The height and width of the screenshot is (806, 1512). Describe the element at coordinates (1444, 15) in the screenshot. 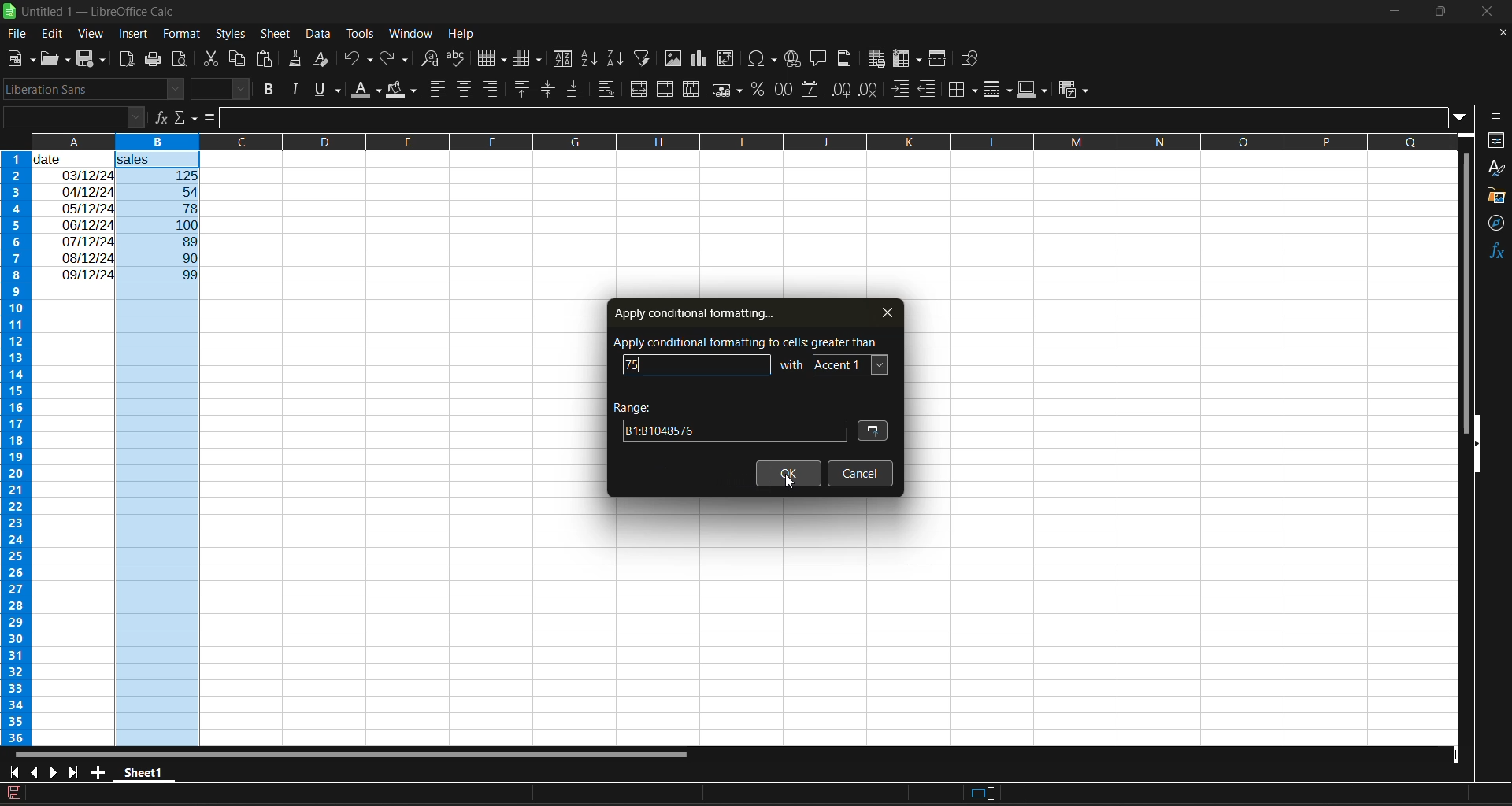

I see `maximize` at that location.